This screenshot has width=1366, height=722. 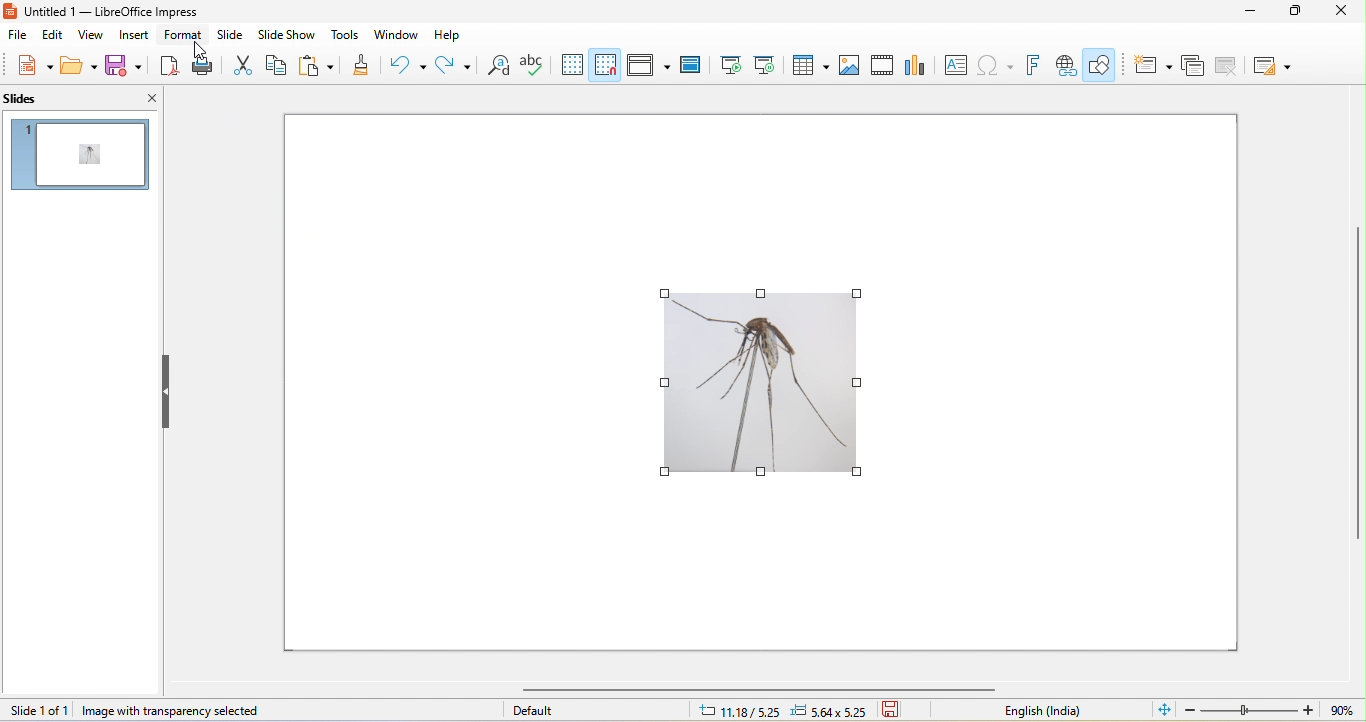 I want to click on start from current, so click(x=765, y=64).